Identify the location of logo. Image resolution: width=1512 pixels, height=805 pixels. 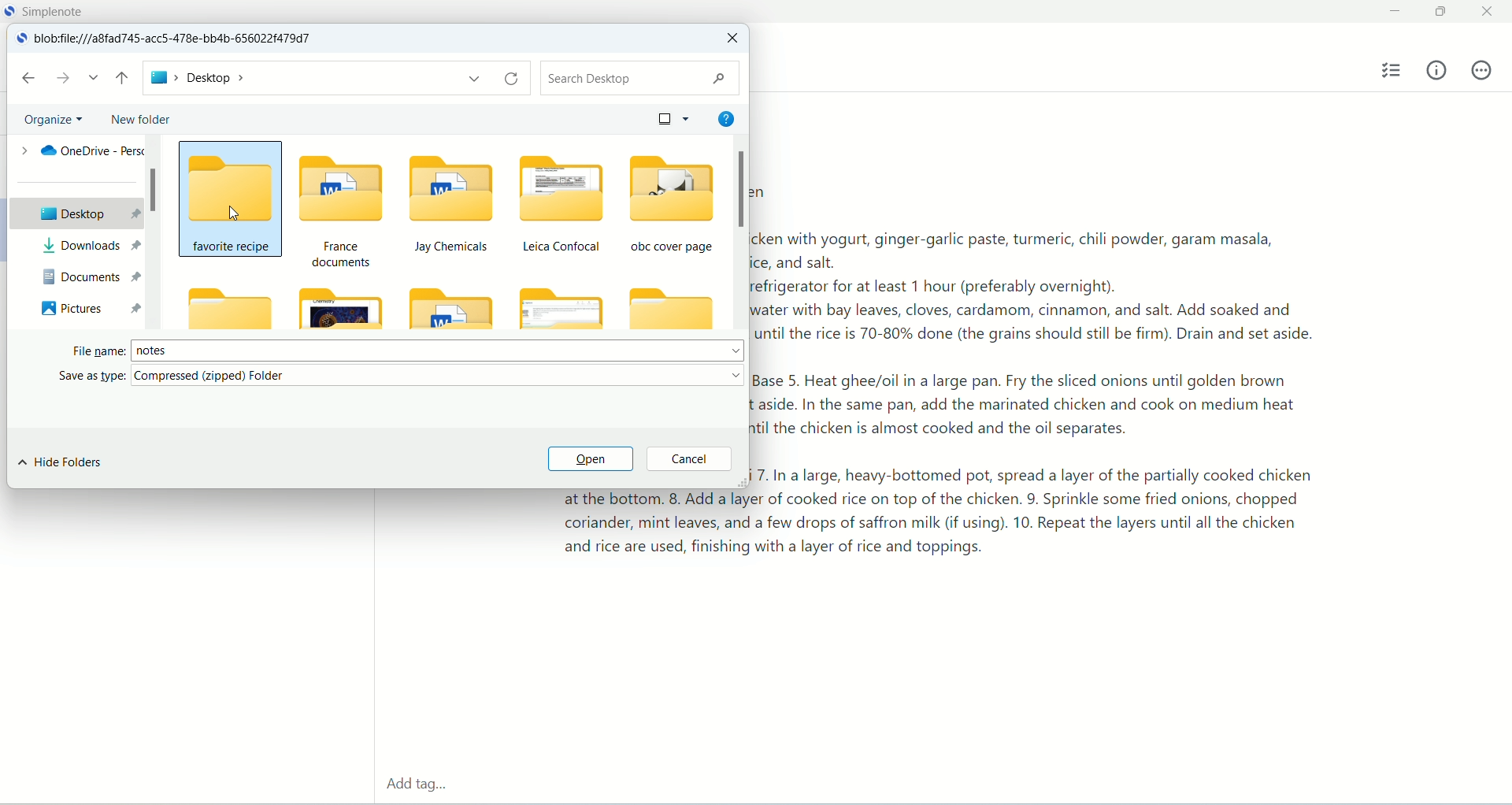
(20, 39).